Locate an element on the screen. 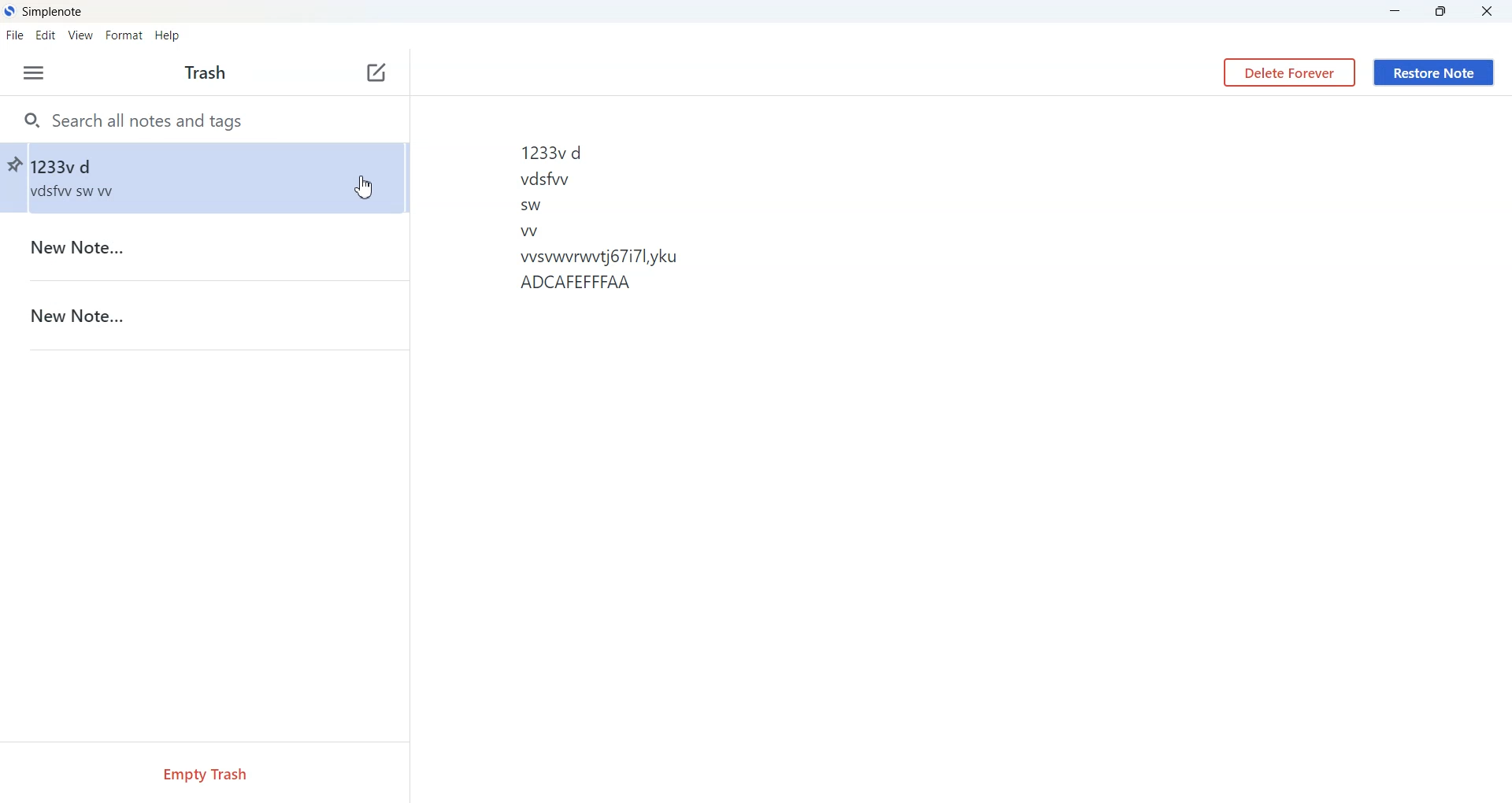  Empty Trash is located at coordinates (203, 773).